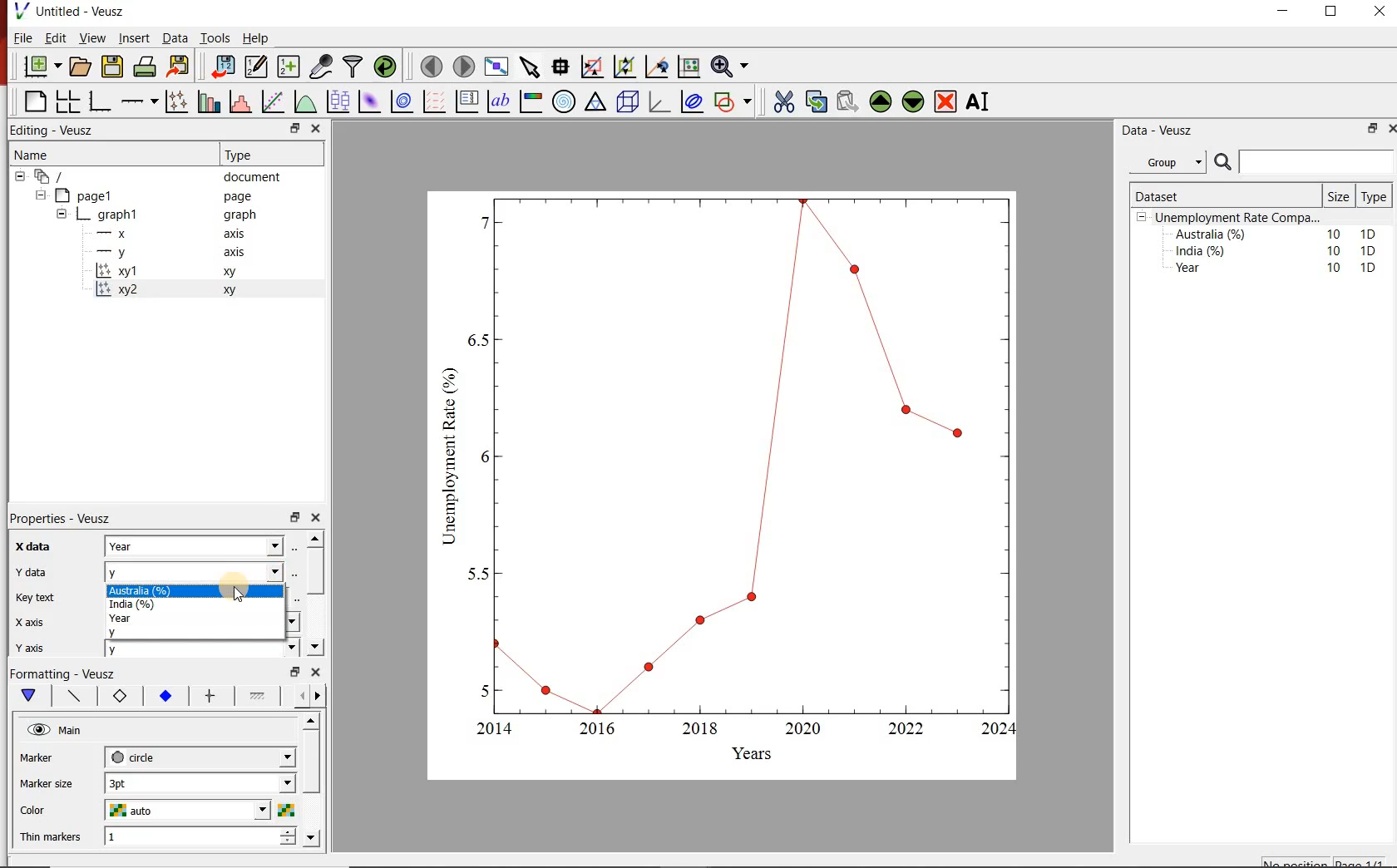  I want to click on plot vector field, so click(433, 101).